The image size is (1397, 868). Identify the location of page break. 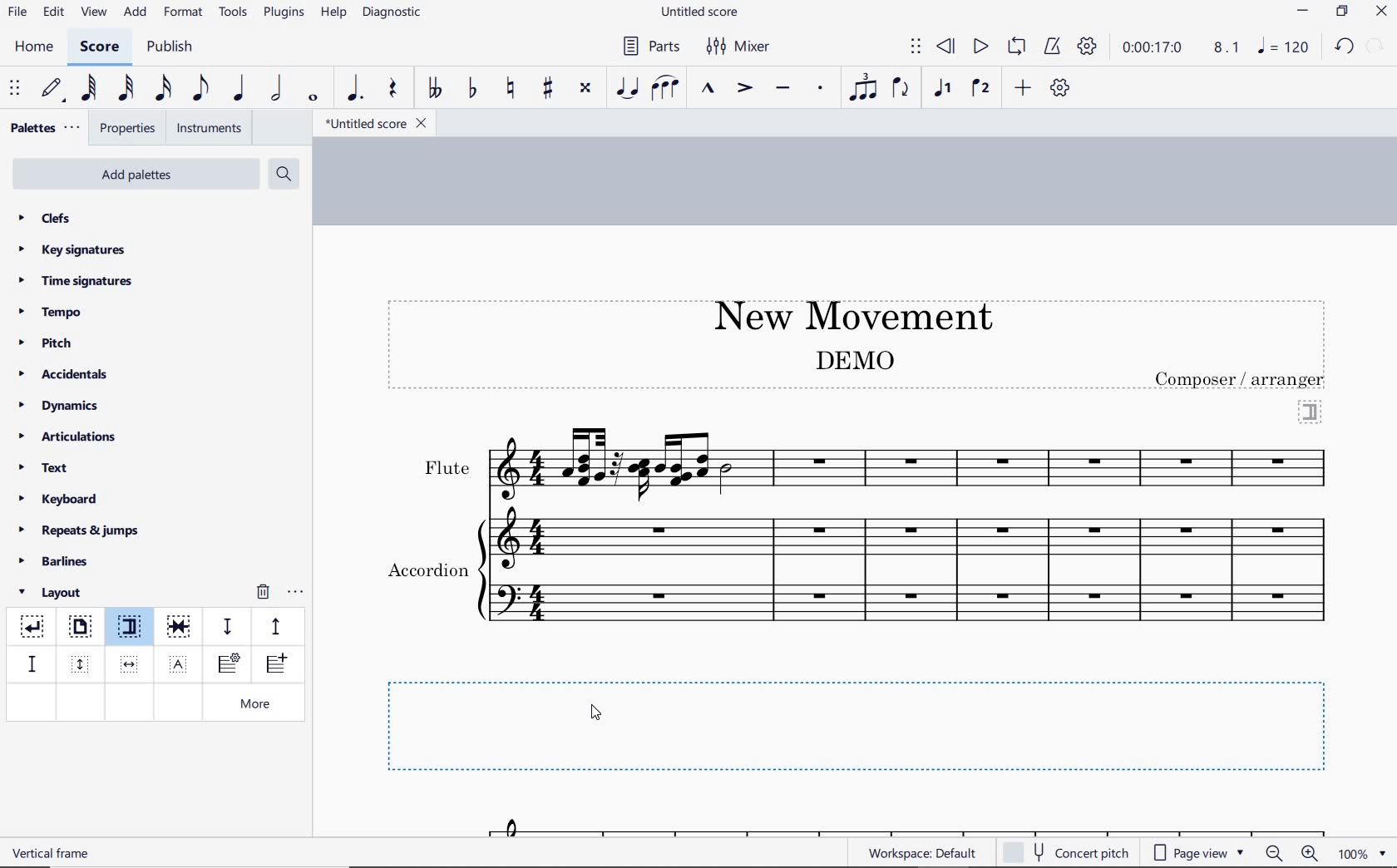
(79, 629).